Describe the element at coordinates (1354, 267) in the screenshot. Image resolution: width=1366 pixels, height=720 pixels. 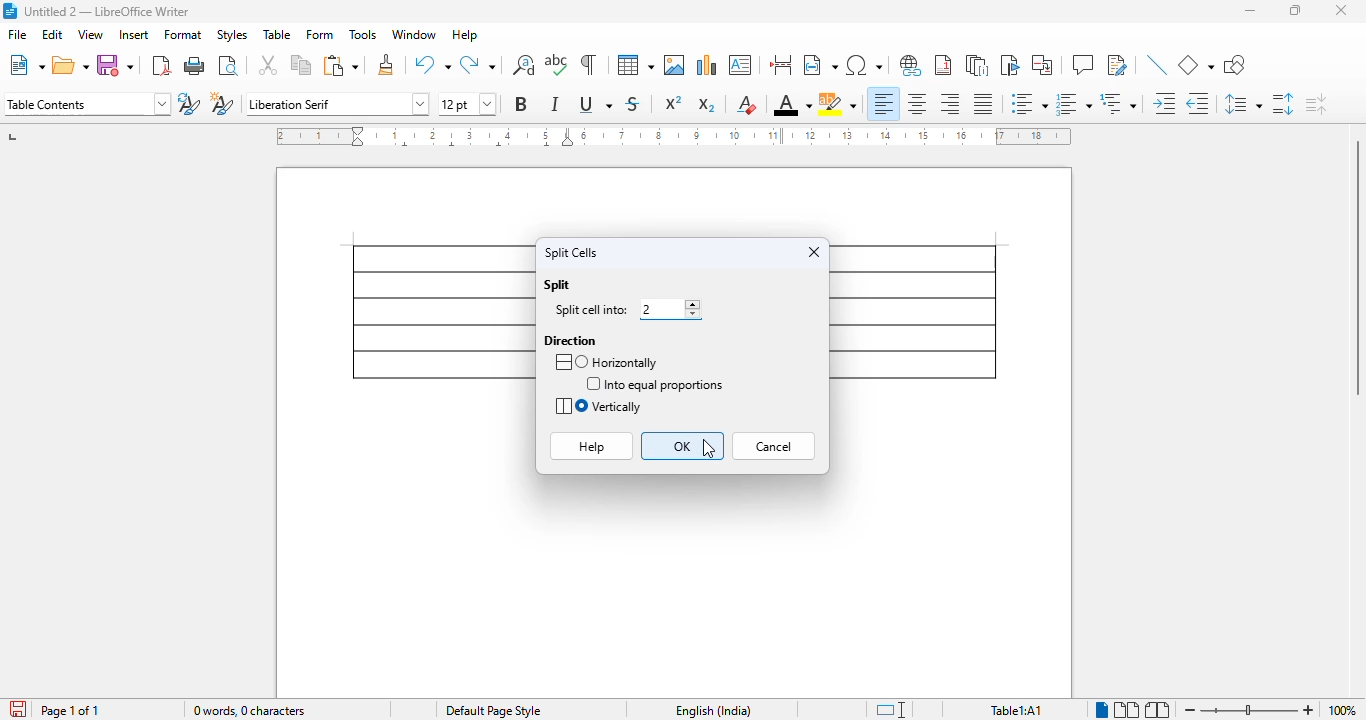
I see `vertical scroll bar` at that location.